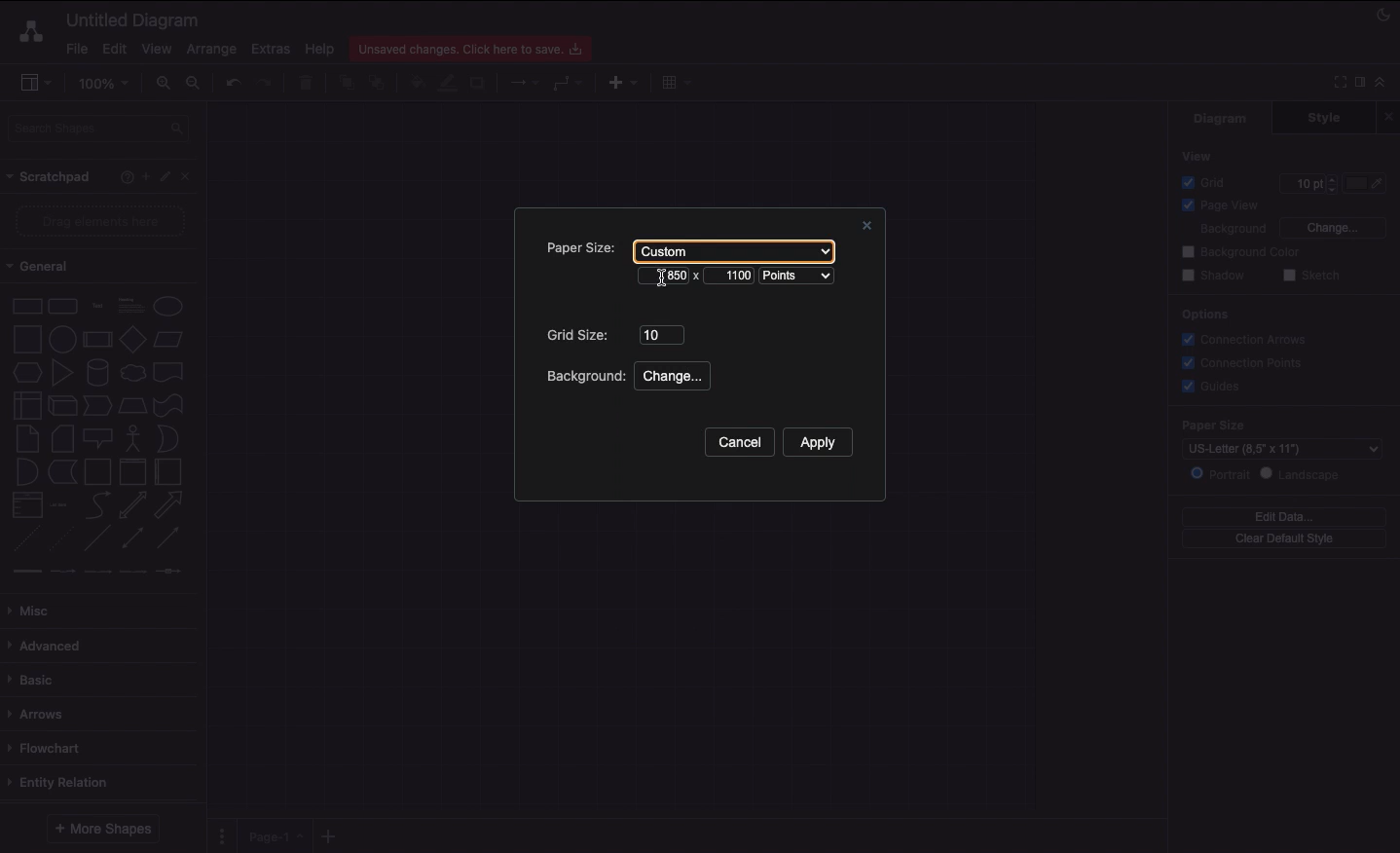 The image size is (1400, 853). Describe the element at coordinates (1284, 516) in the screenshot. I see `Edit data` at that location.